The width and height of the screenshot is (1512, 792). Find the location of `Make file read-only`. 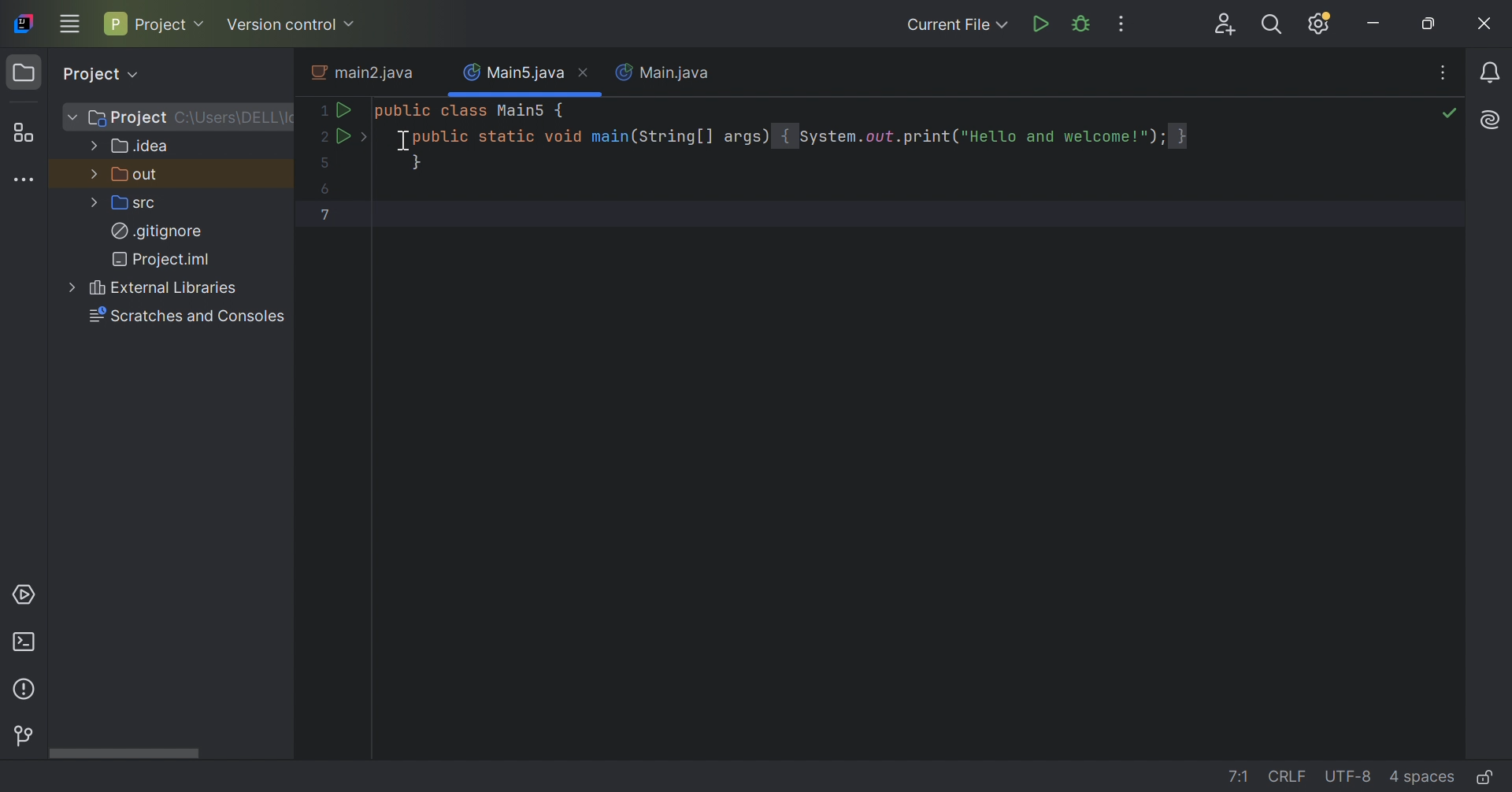

Make file read-only is located at coordinates (1488, 777).